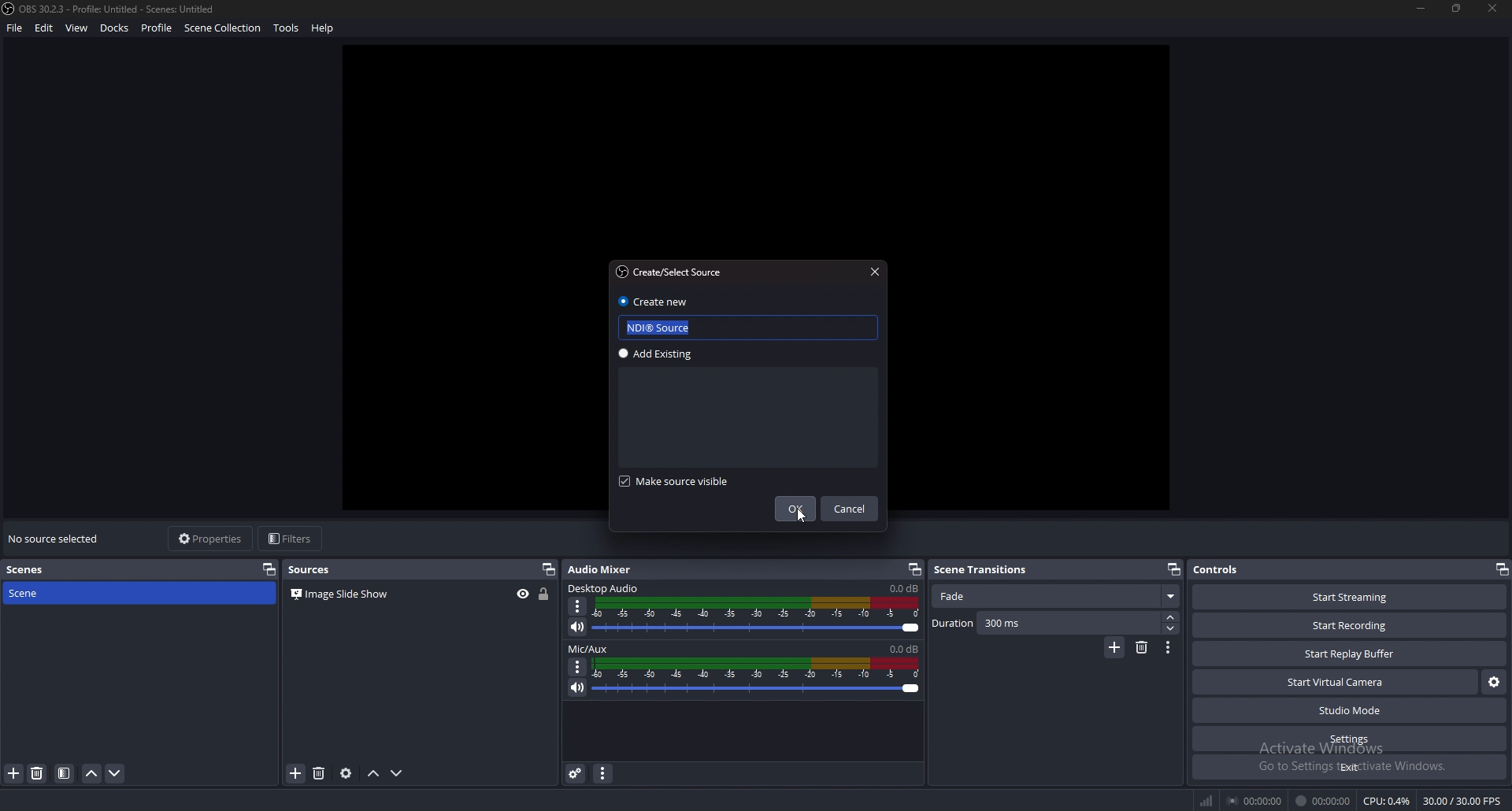  I want to click on add transition, so click(1115, 647).